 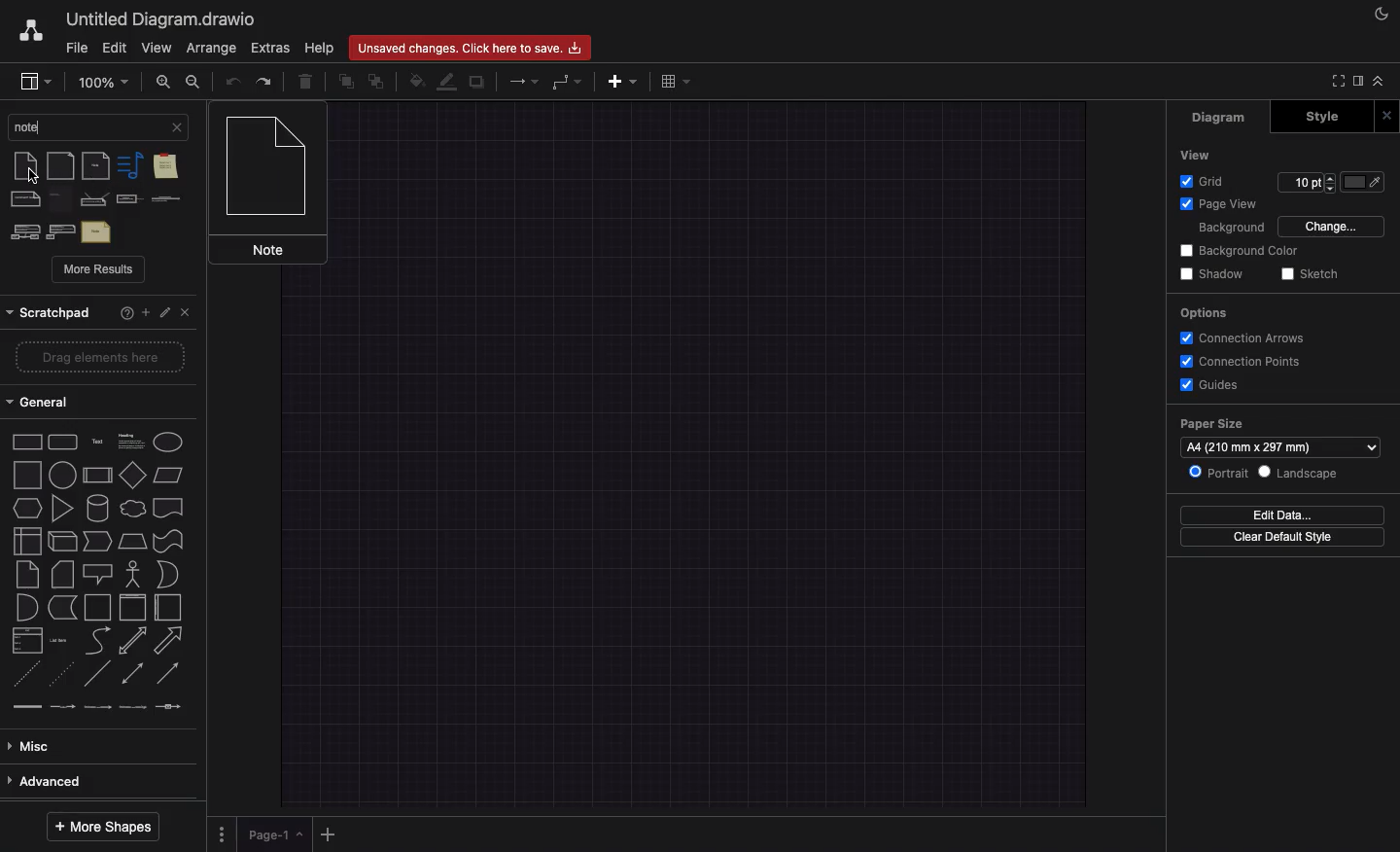 What do you see at coordinates (177, 126) in the screenshot?
I see `close` at bounding box center [177, 126].